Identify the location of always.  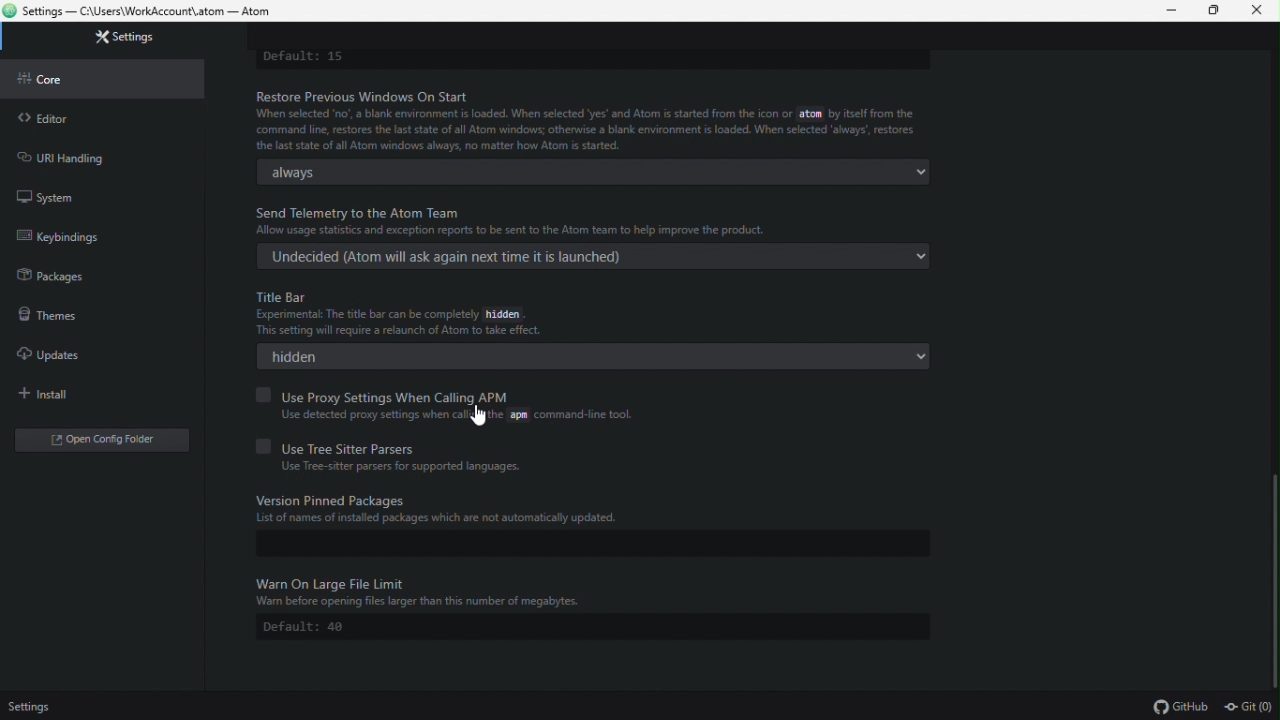
(584, 171).